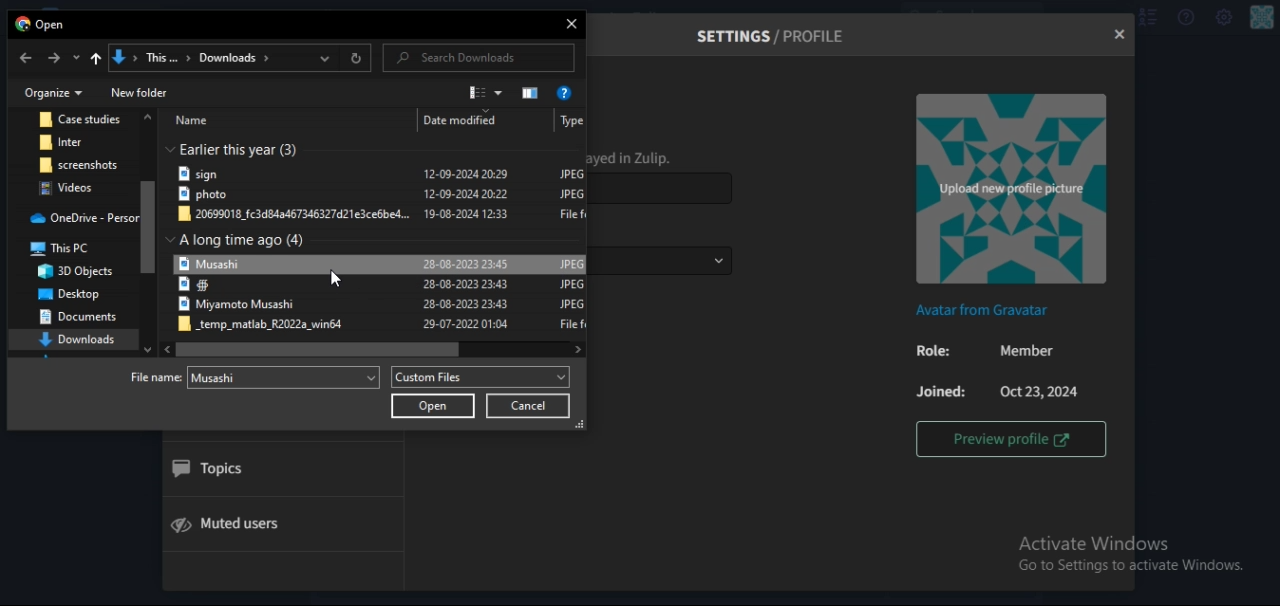 This screenshot has height=606, width=1280. What do you see at coordinates (986, 311) in the screenshot?
I see `Avatar from Gravatar` at bounding box center [986, 311].